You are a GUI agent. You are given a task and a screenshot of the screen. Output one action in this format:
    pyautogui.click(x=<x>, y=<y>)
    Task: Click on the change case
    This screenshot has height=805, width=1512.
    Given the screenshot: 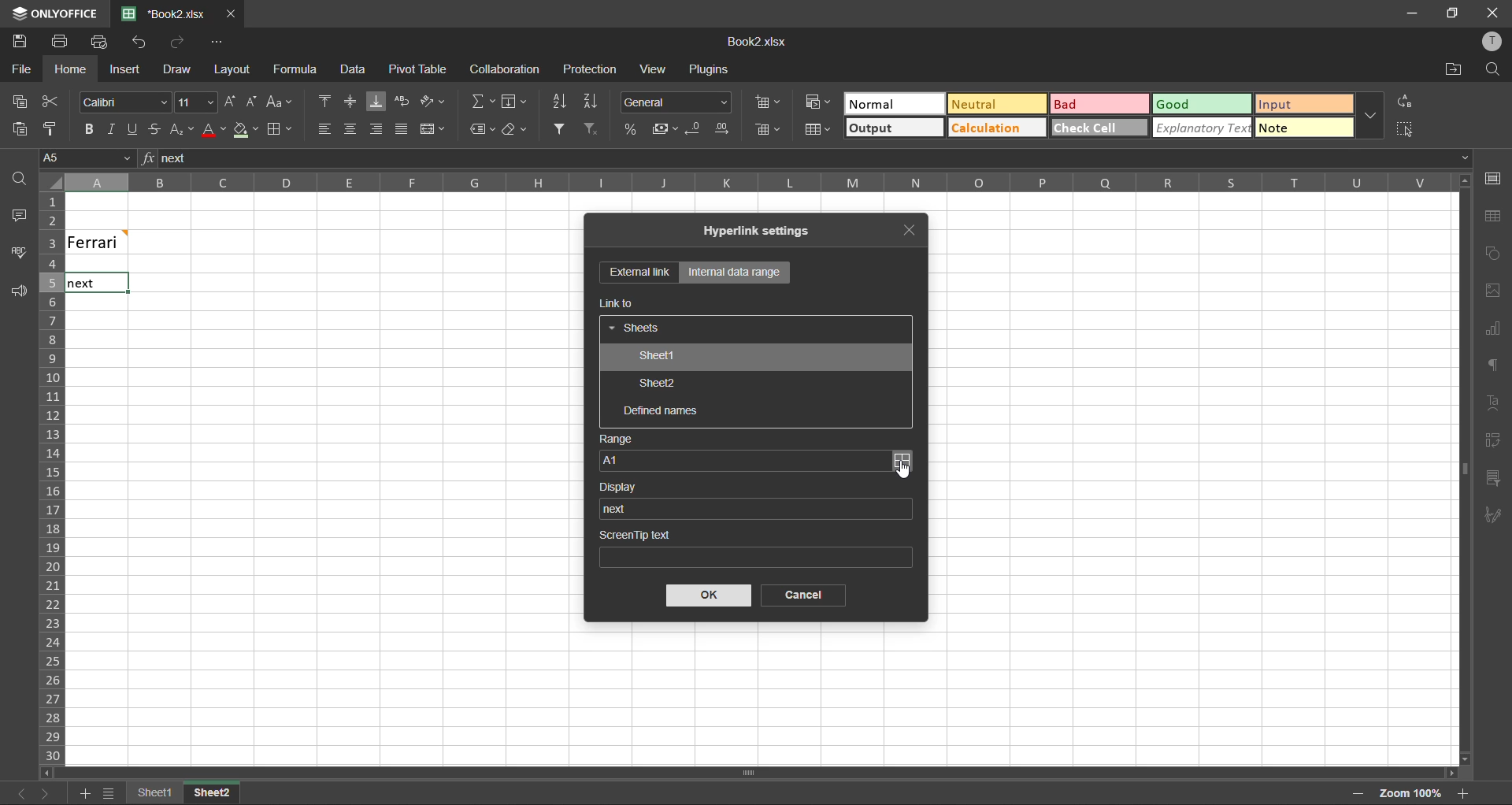 What is the action you would take?
    pyautogui.click(x=280, y=102)
    